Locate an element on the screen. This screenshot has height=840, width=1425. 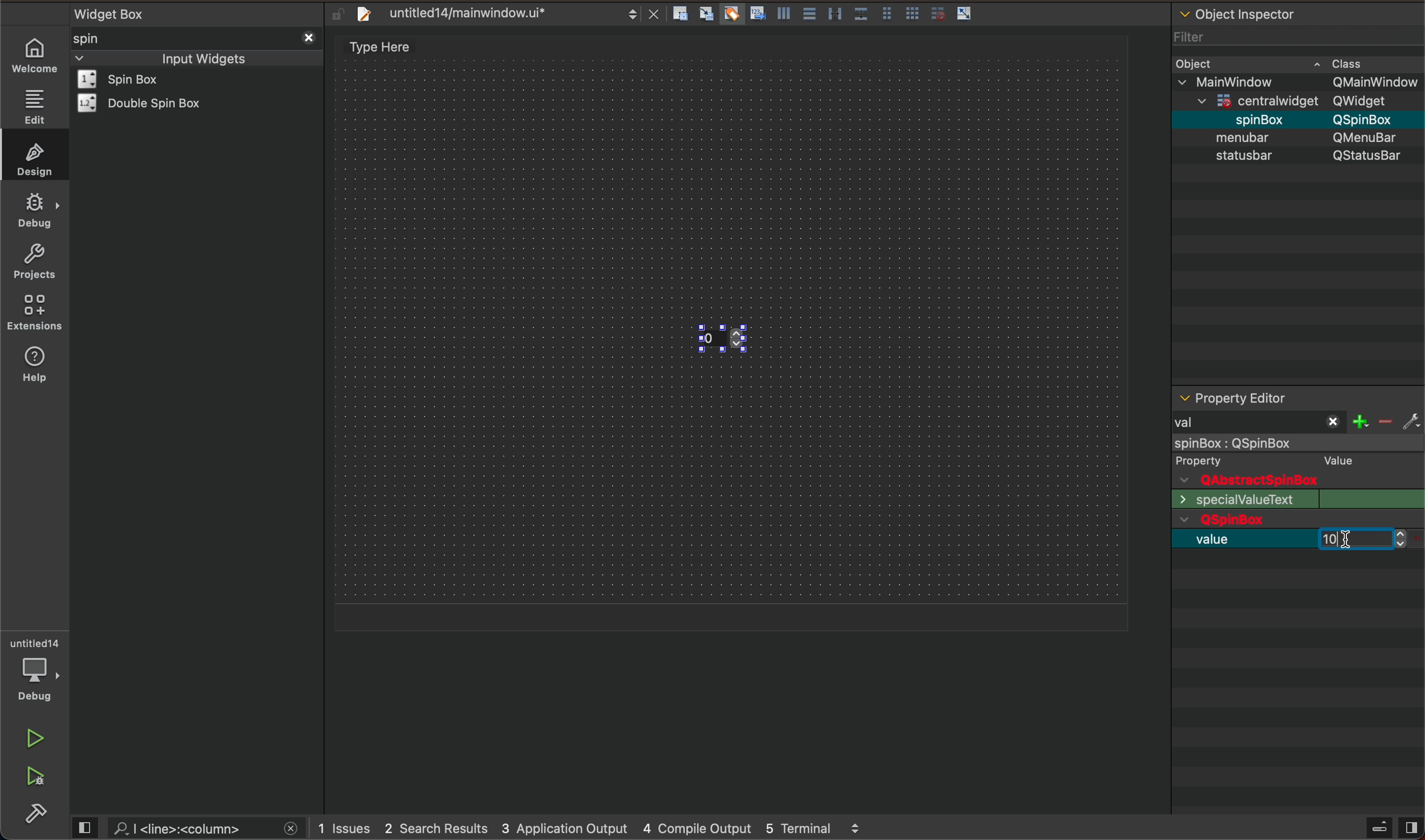
edit is located at coordinates (33, 106).